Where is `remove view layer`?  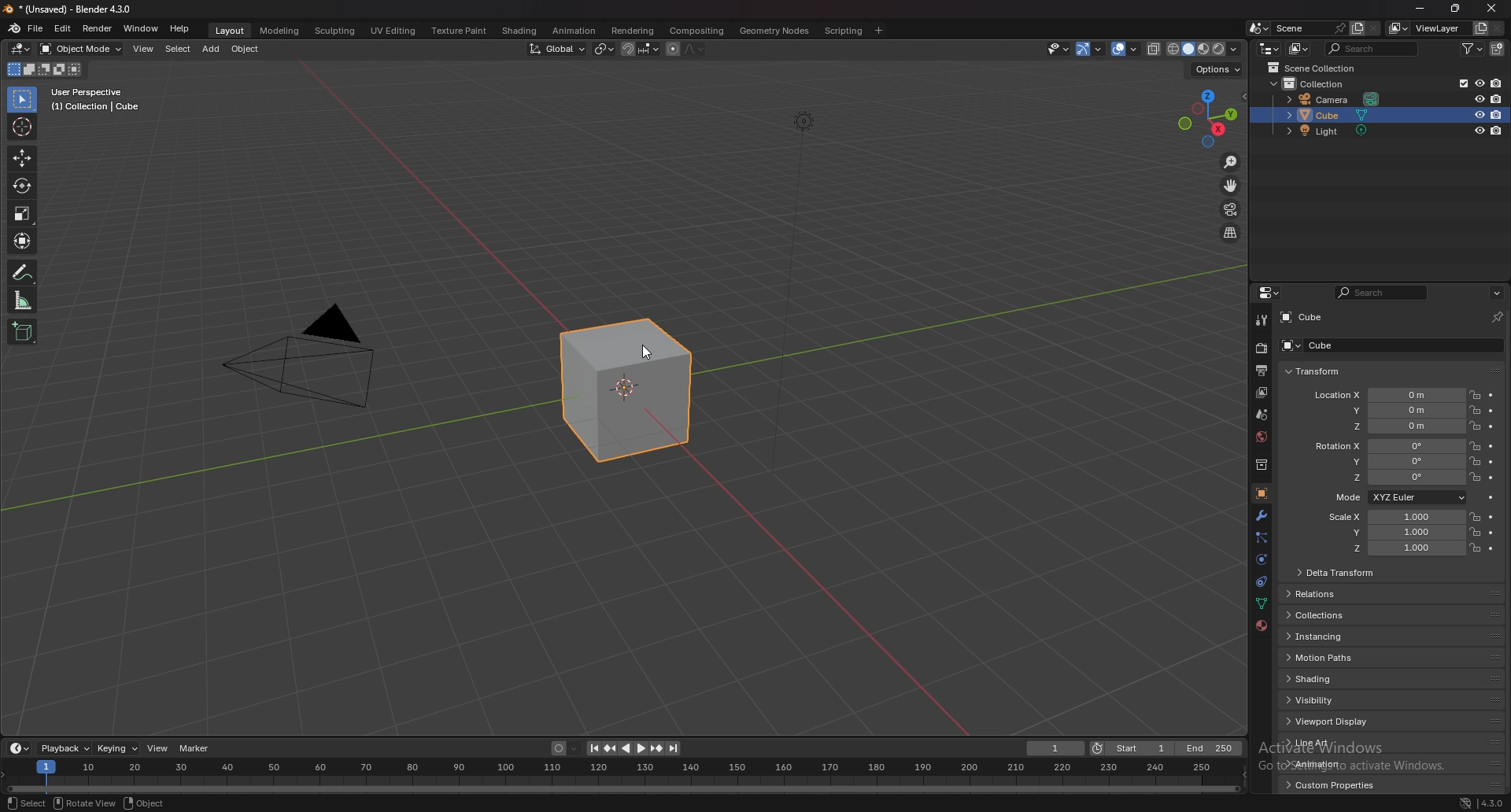
remove view layer is located at coordinates (1498, 29).